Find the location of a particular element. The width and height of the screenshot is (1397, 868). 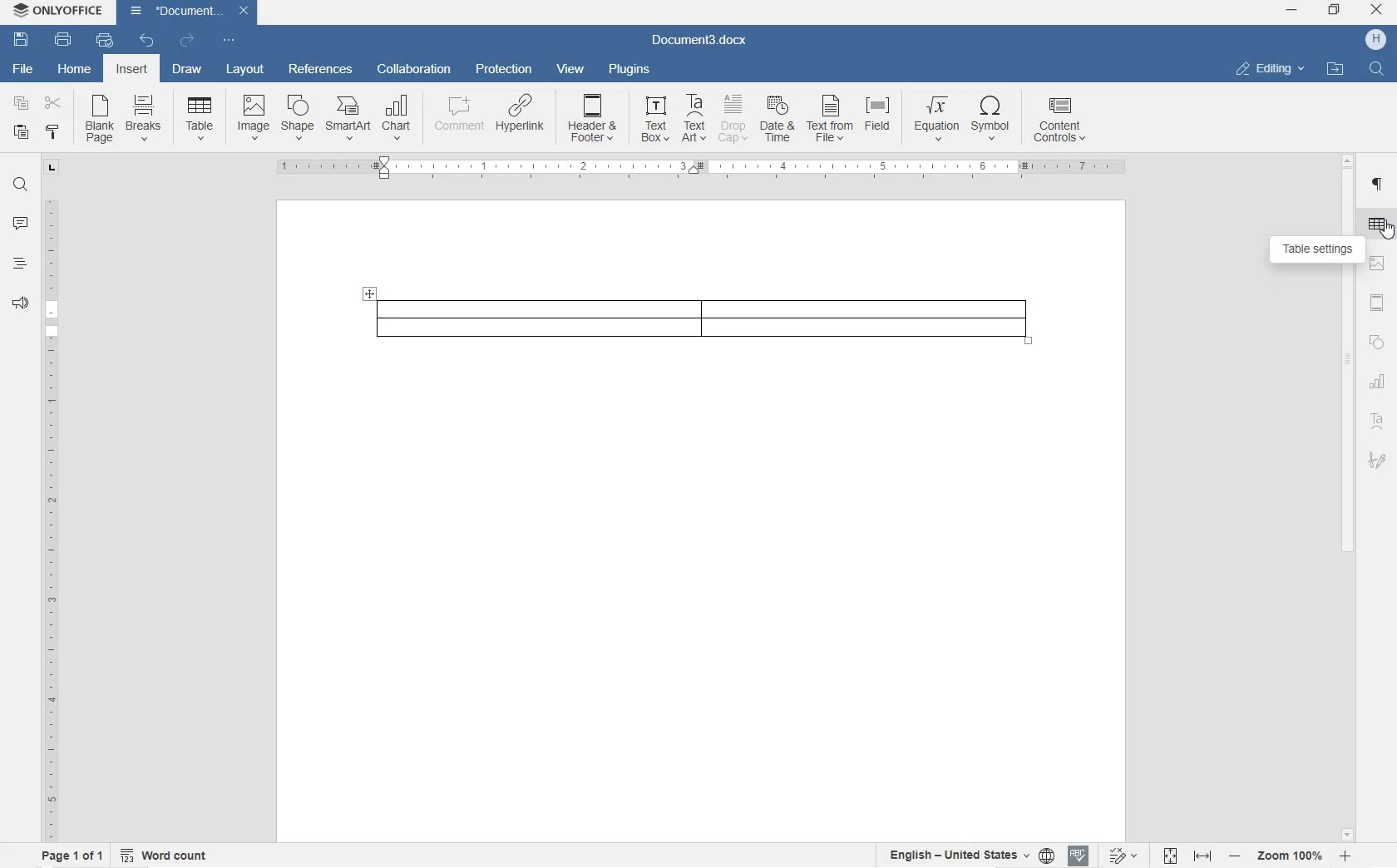

Date & Time is located at coordinates (779, 121).